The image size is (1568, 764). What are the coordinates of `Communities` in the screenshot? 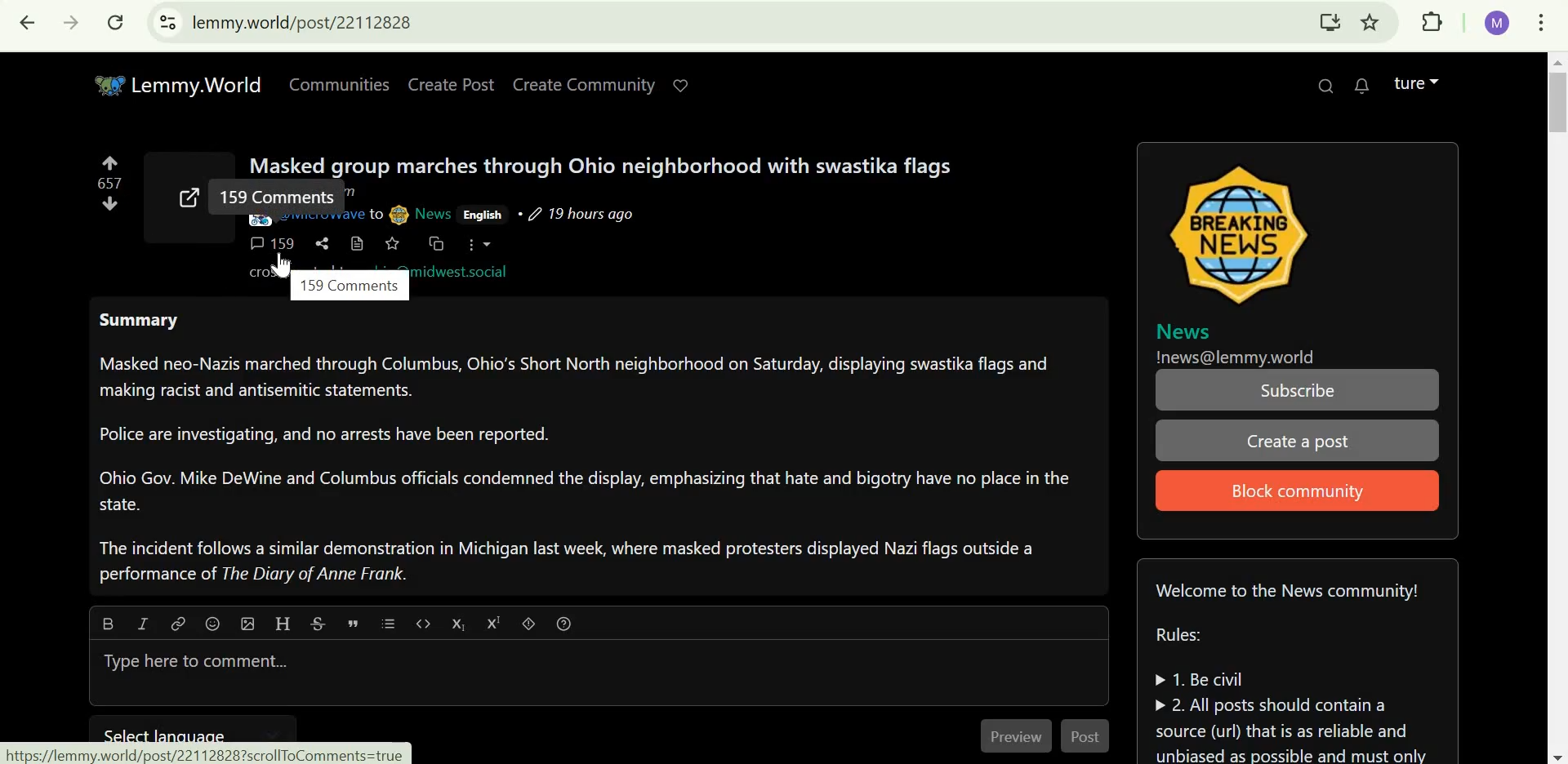 It's located at (339, 82).